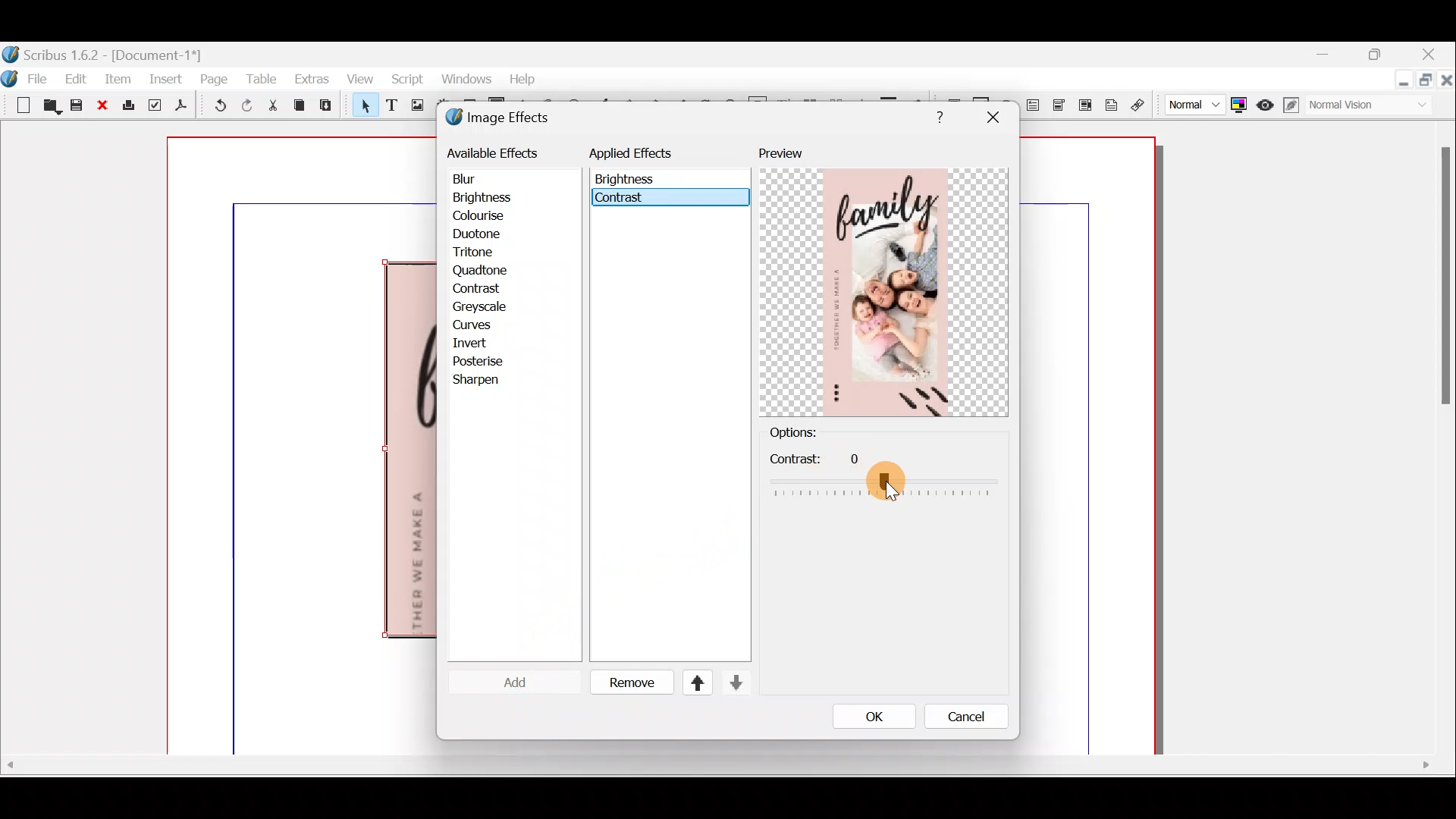  What do you see at coordinates (715, 765) in the screenshot?
I see `` at bounding box center [715, 765].